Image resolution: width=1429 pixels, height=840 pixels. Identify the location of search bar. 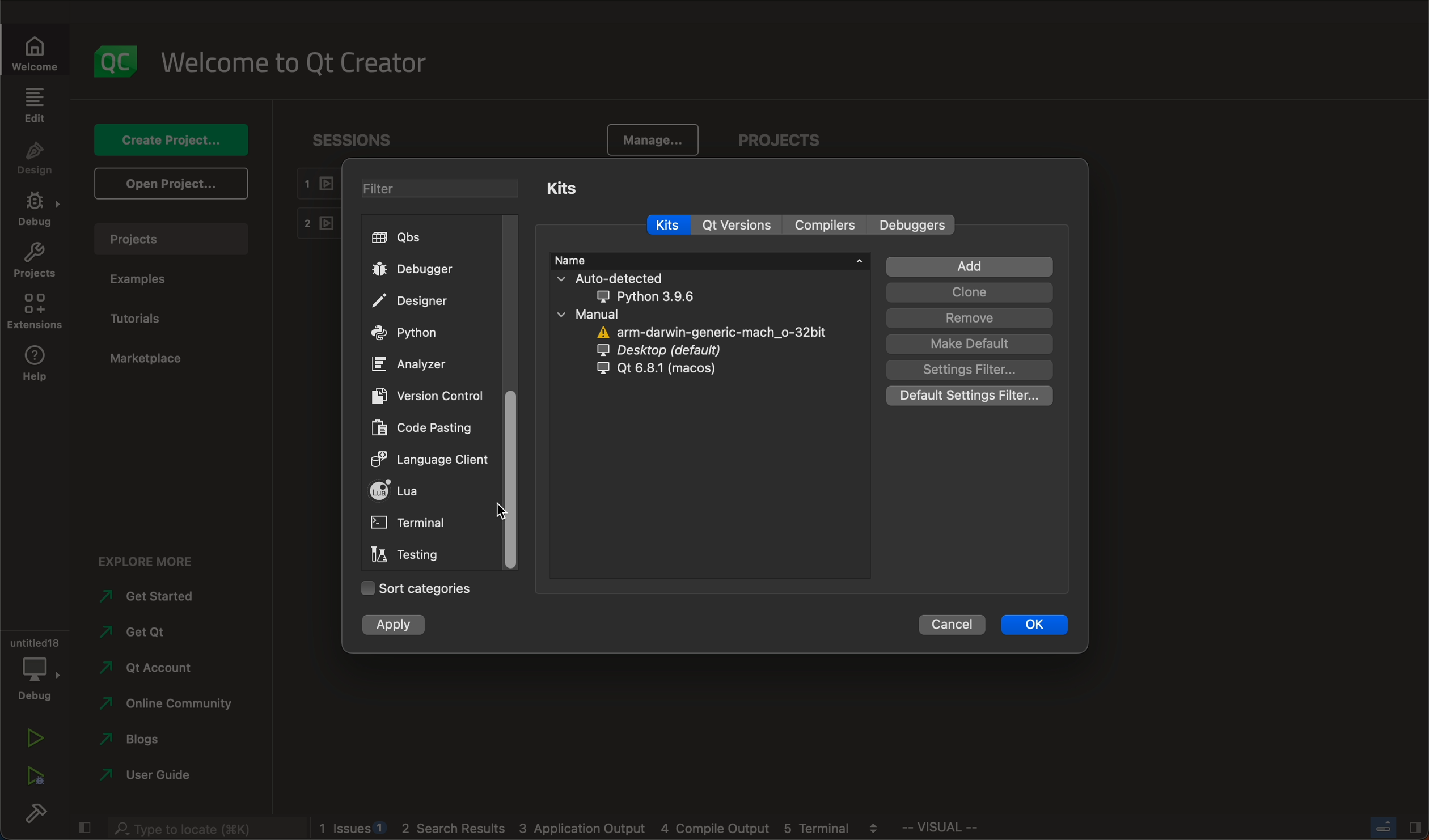
(198, 828).